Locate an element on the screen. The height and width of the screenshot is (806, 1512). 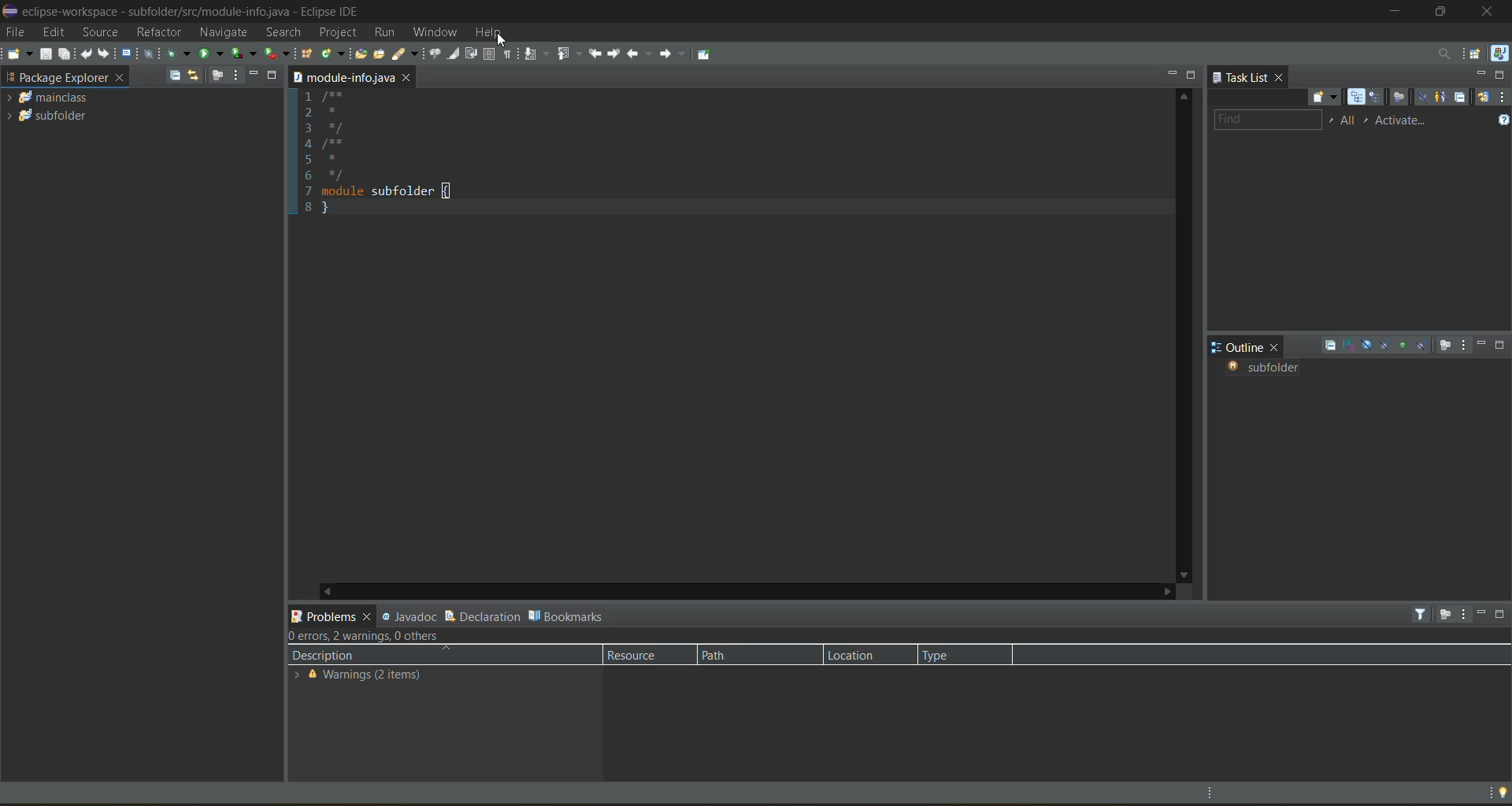
focus on active task is located at coordinates (218, 76).